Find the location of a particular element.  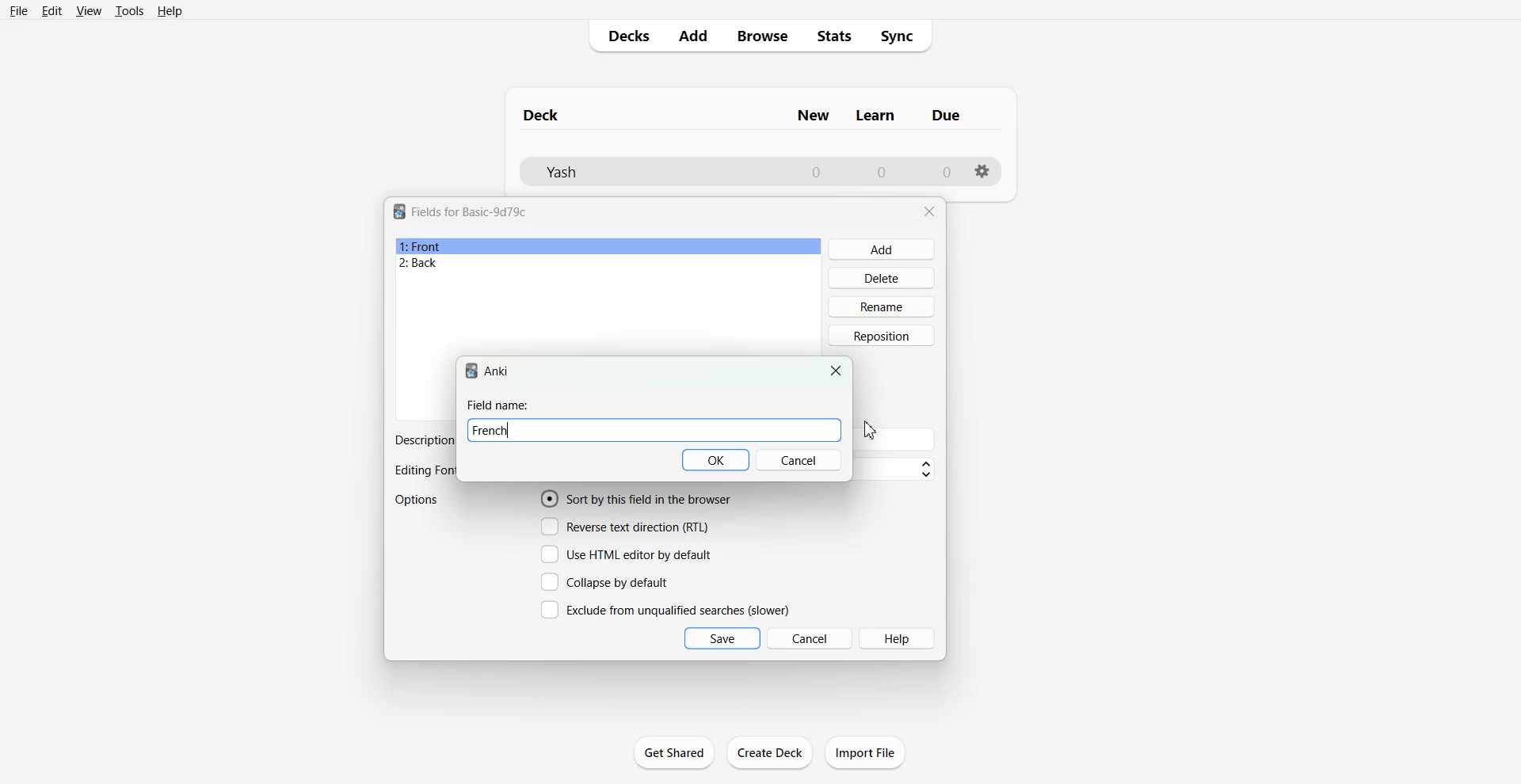

Text 1 is located at coordinates (470, 211).